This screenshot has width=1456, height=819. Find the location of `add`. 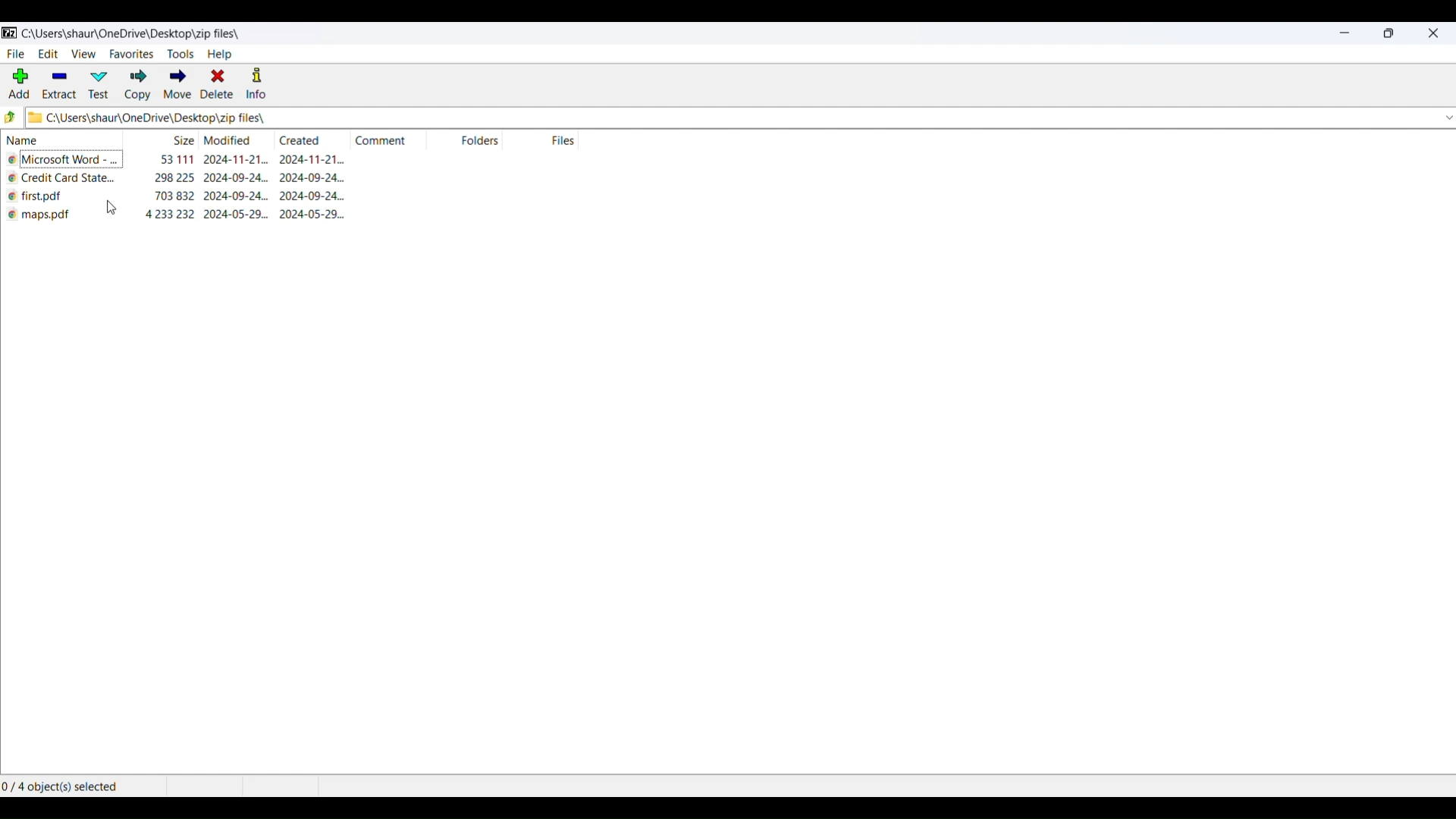

add is located at coordinates (17, 83).